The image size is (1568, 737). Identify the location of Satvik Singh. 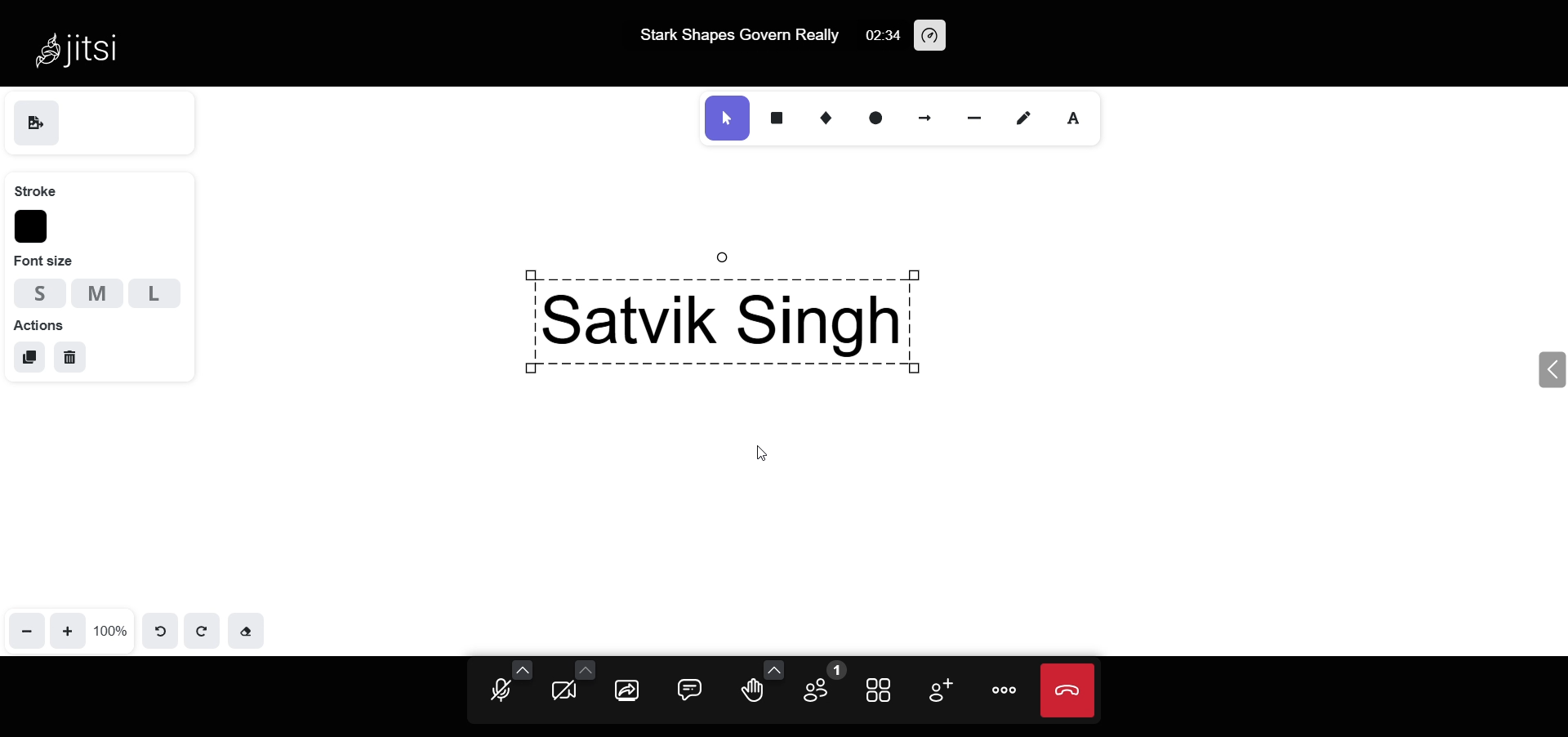
(741, 315).